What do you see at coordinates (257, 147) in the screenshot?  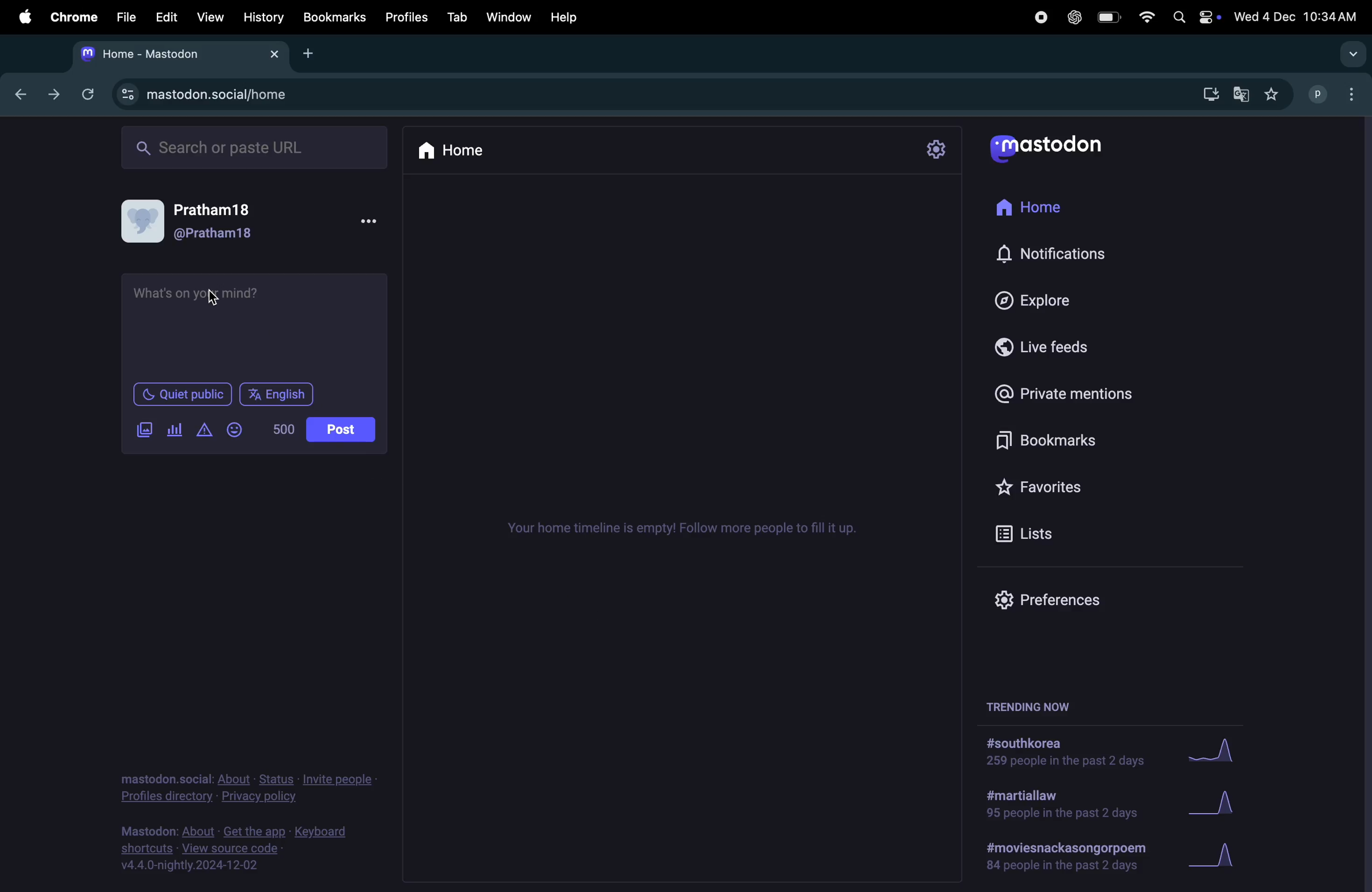 I see `Search or paste url` at bounding box center [257, 147].